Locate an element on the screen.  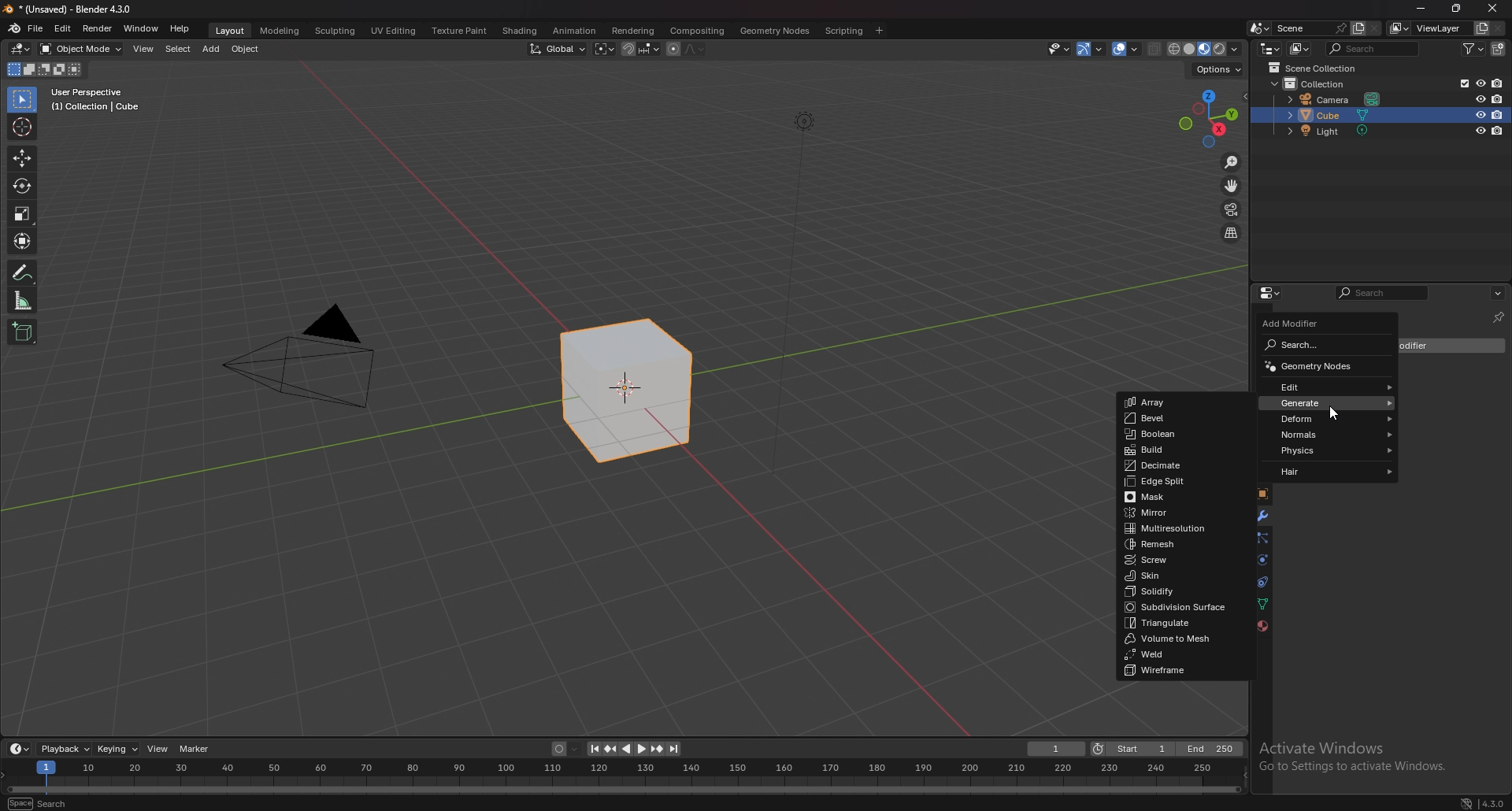
remesh is located at coordinates (1183, 544).